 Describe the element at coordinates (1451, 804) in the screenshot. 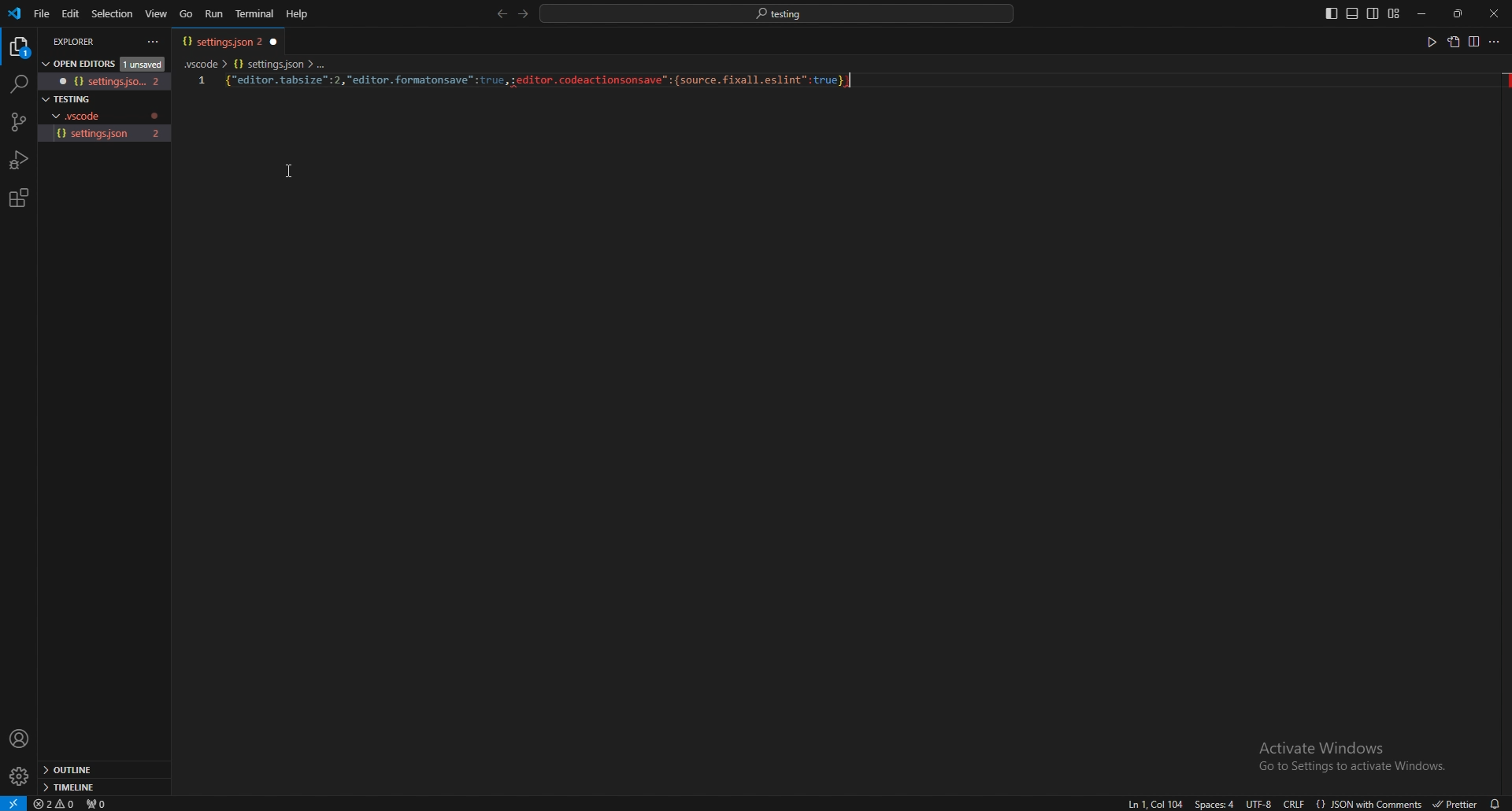

I see `formatter` at that location.